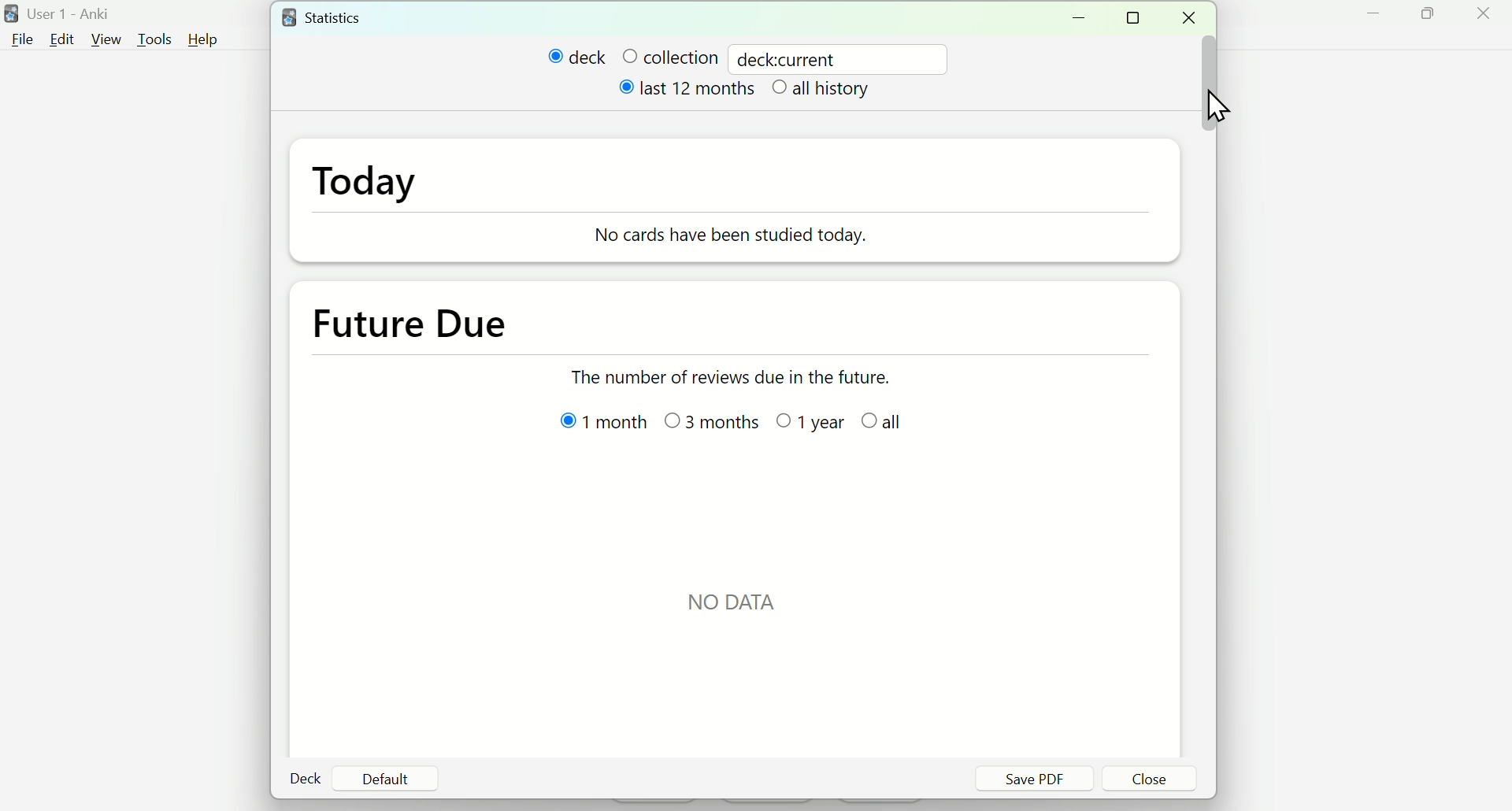 The width and height of the screenshot is (1512, 811). I want to click on Help, so click(210, 39).